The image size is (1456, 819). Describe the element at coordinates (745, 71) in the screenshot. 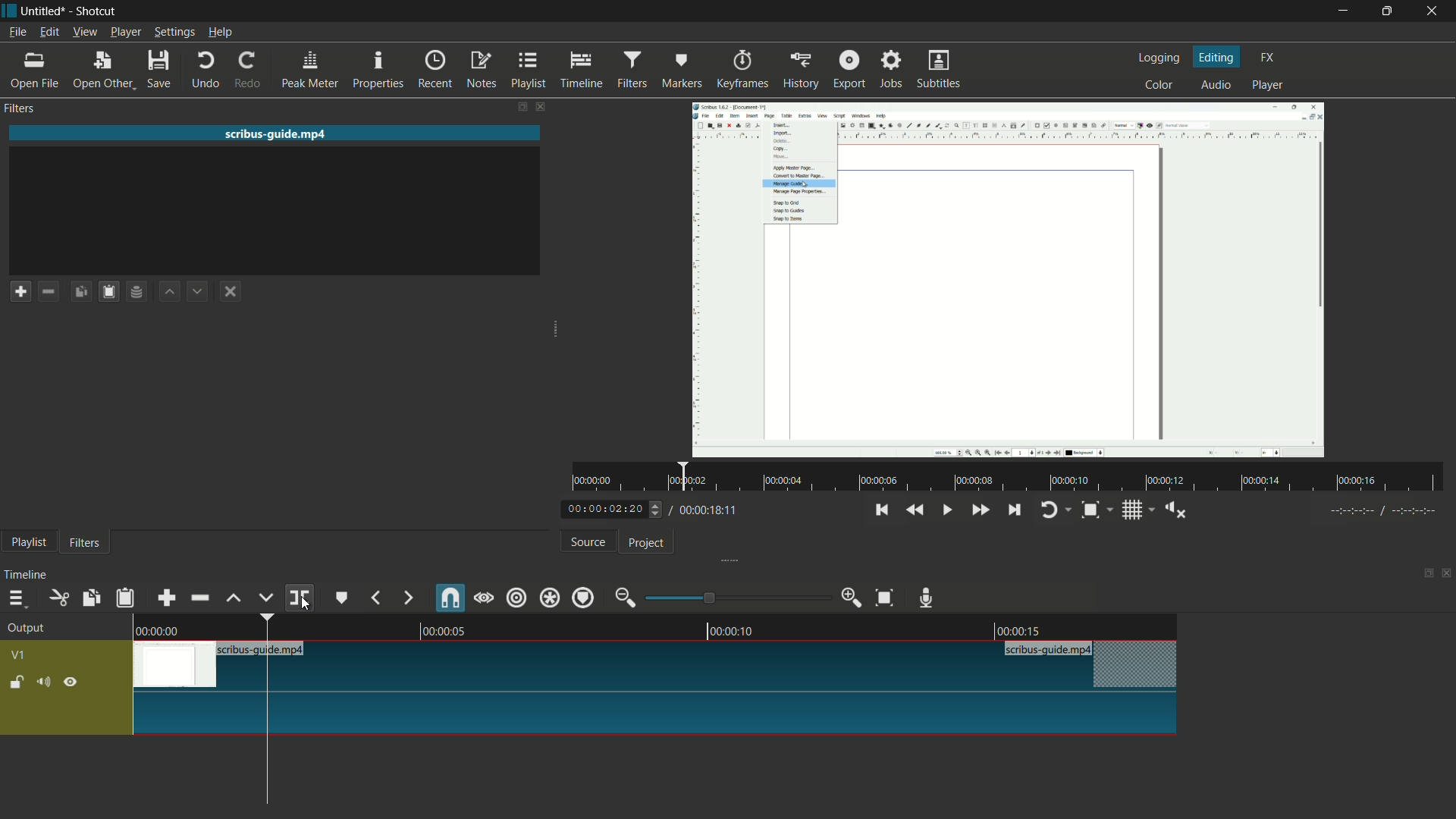

I see `keyframes` at that location.